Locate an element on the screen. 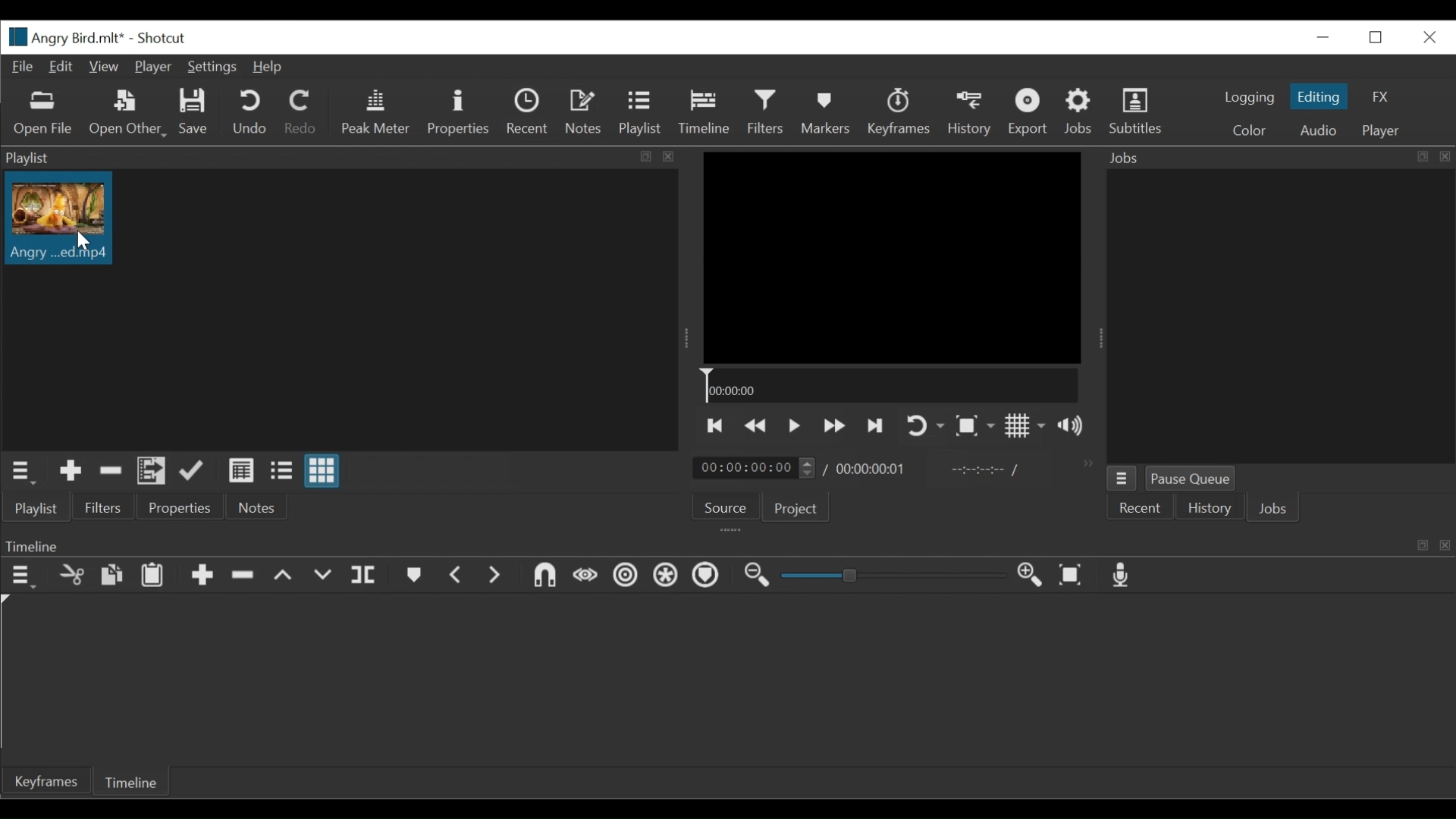 The image size is (1456, 819). Skip to the next point is located at coordinates (877, 426).